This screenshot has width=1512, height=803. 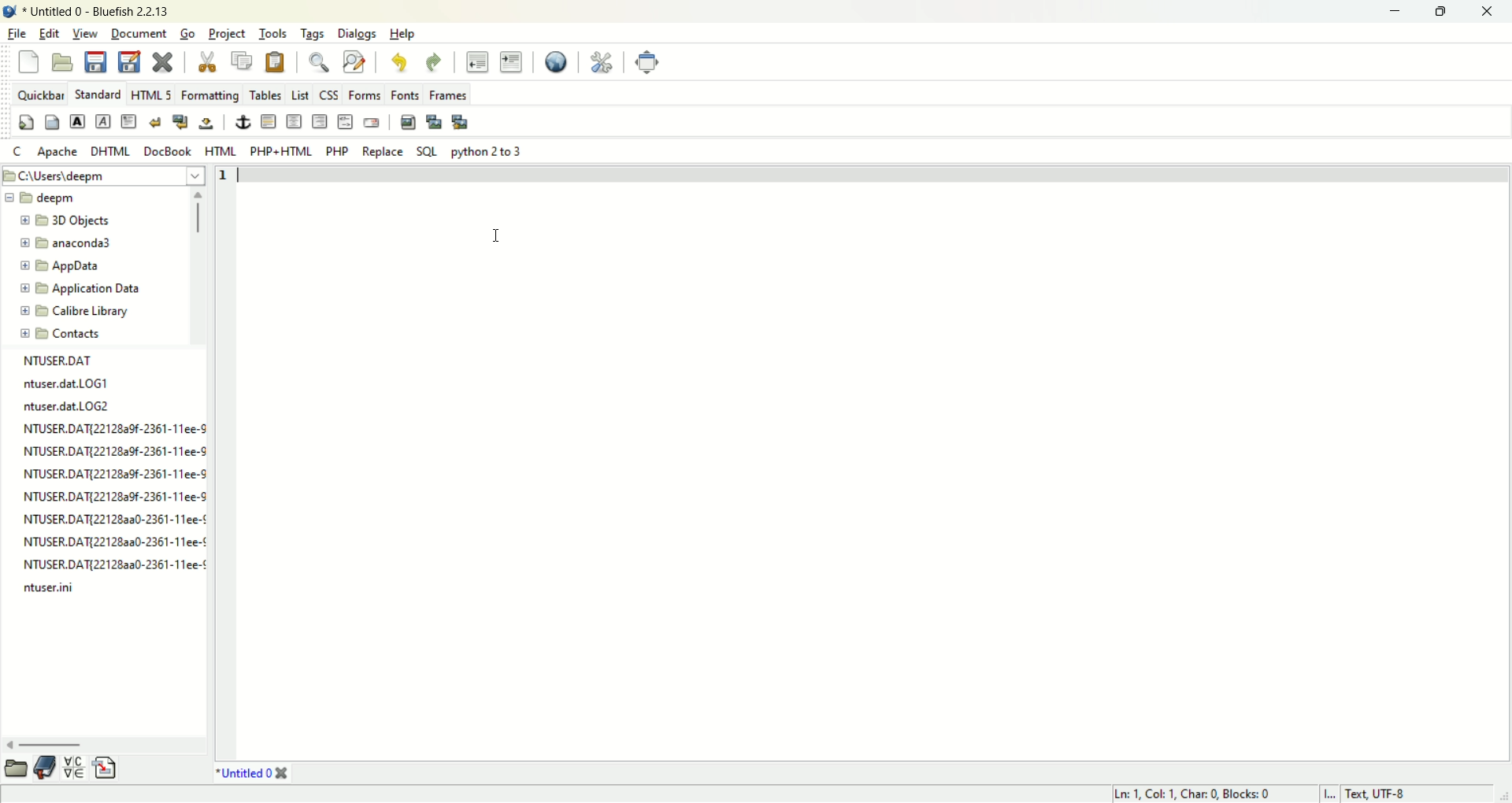 What do you see at coordinates (210, 96) in the screenshot?
I see `formatting` at bounding box center [210, 96].